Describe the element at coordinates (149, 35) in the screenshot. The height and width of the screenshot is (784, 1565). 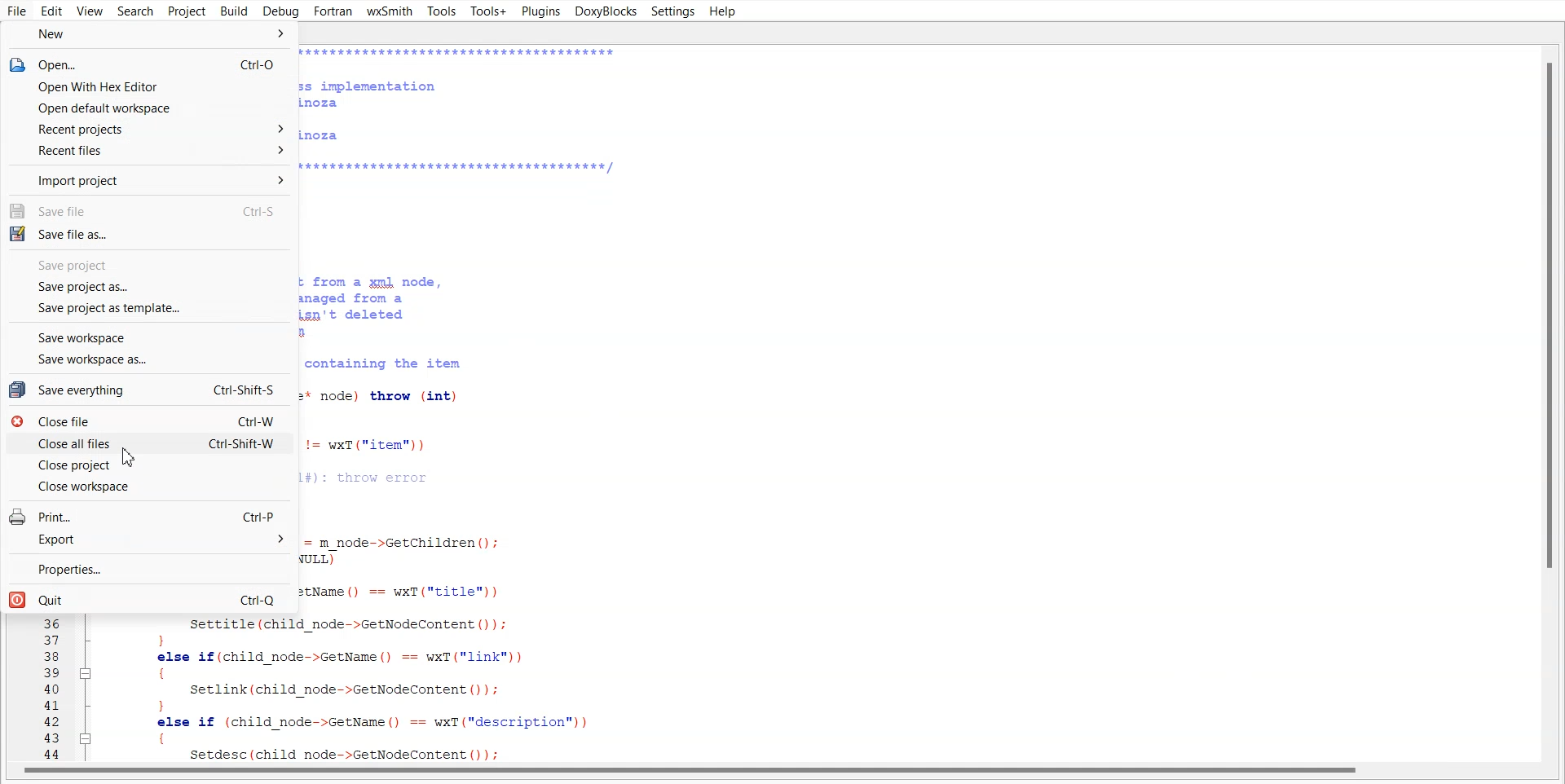
I see `New` at that location.